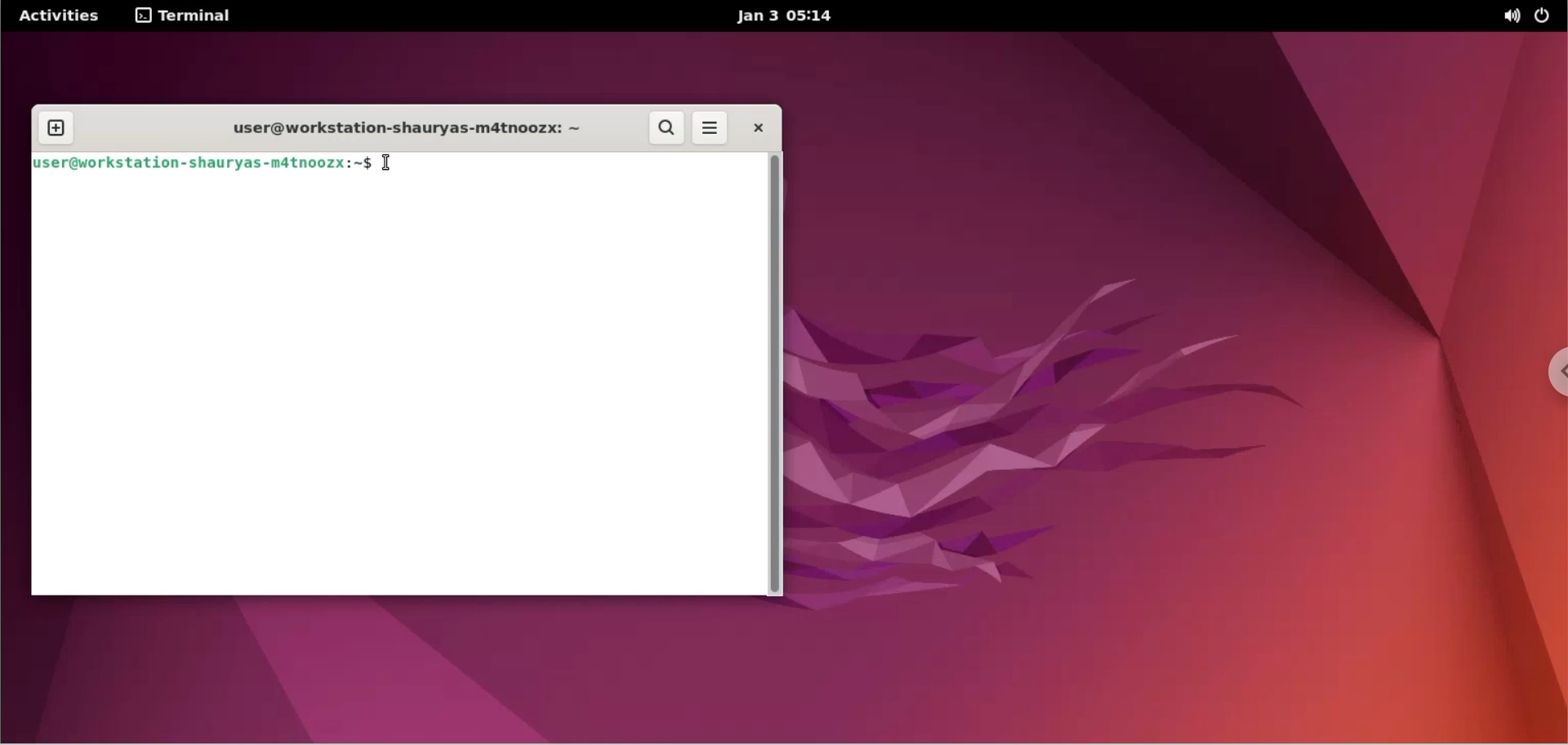 This screenshot has height=745, width=1568. What do you see at coordinates (590, 167) in the screenshot?
I see `command input box` at bounding box center [590, 167].